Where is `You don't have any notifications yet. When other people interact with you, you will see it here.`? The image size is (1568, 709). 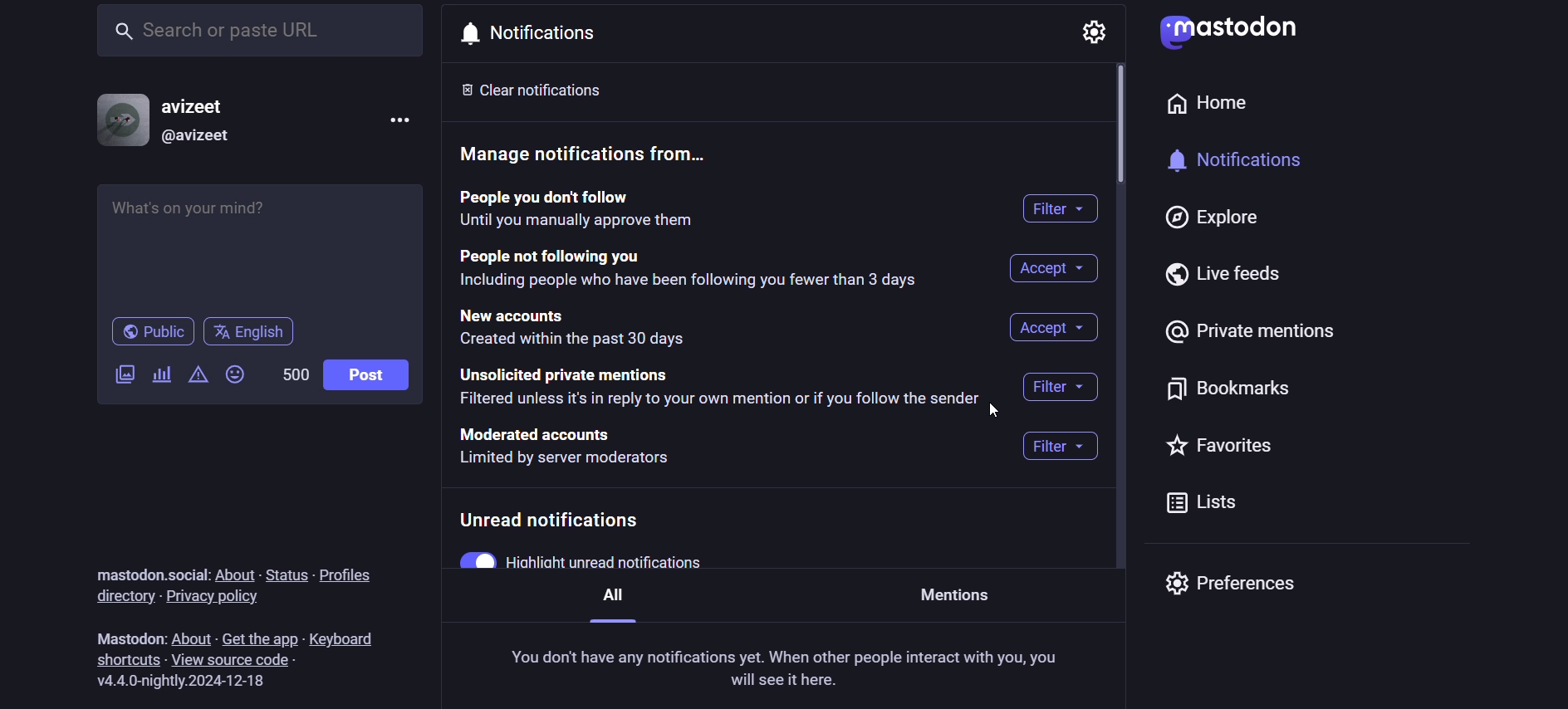 You don't have any notifications yet. When other people interact with you, you will see it here. is located at coordinates (794, 669).